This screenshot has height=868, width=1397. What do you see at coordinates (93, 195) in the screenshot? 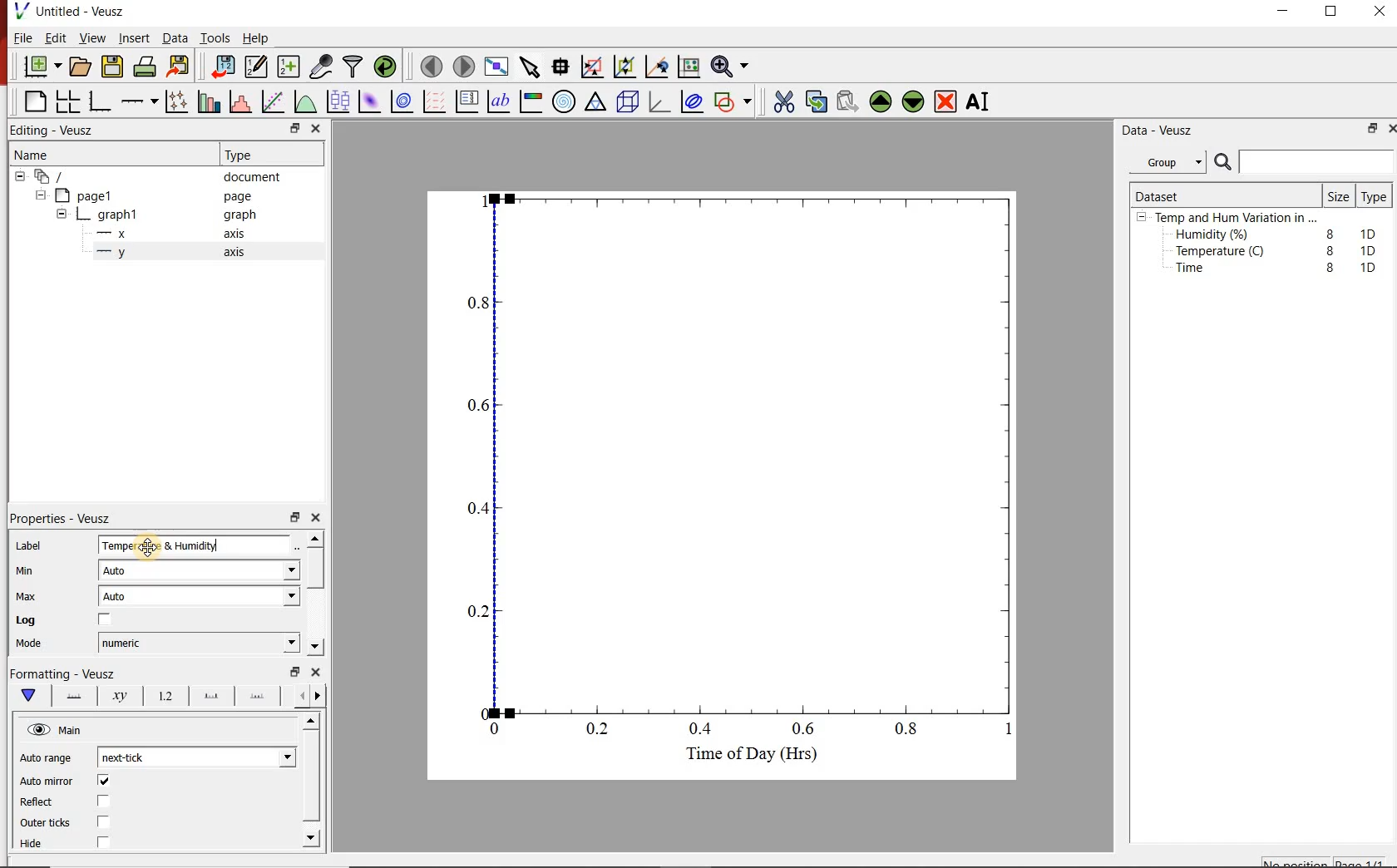
I see `page1` at bounding box center [93, 195].